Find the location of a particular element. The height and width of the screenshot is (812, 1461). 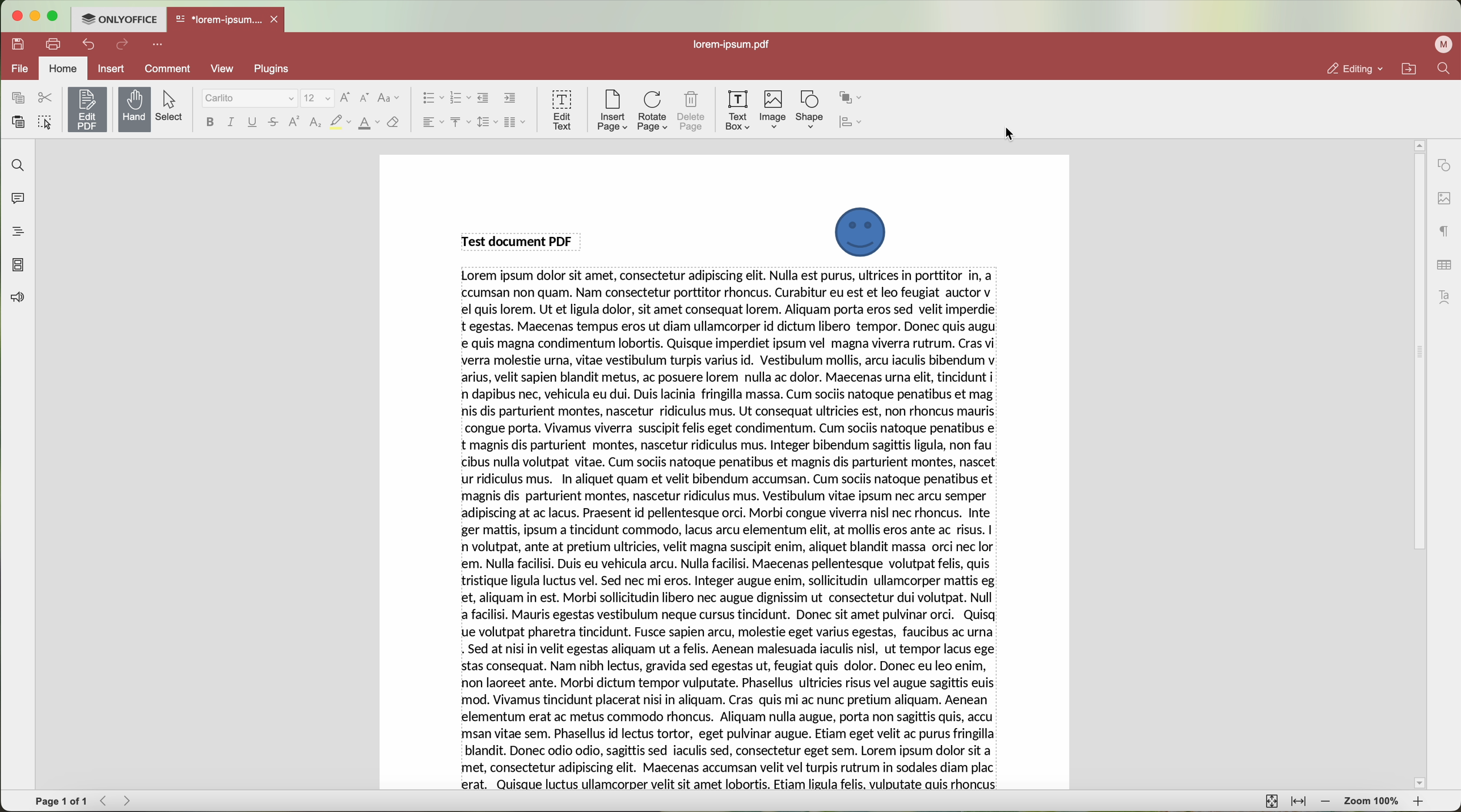

editing is located at coordinates (1355, 69).